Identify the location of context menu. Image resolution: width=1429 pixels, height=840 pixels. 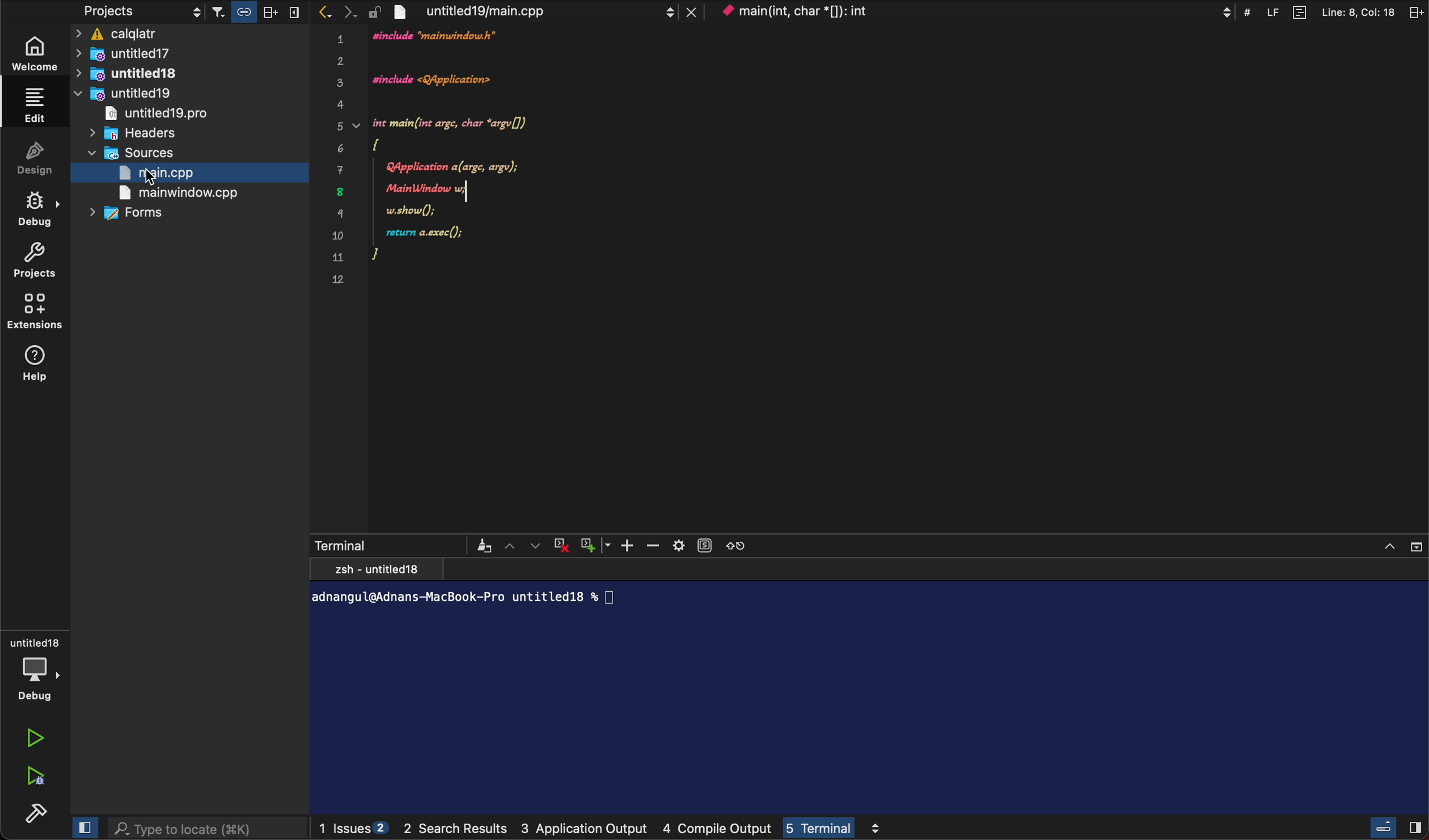
(975, 11).